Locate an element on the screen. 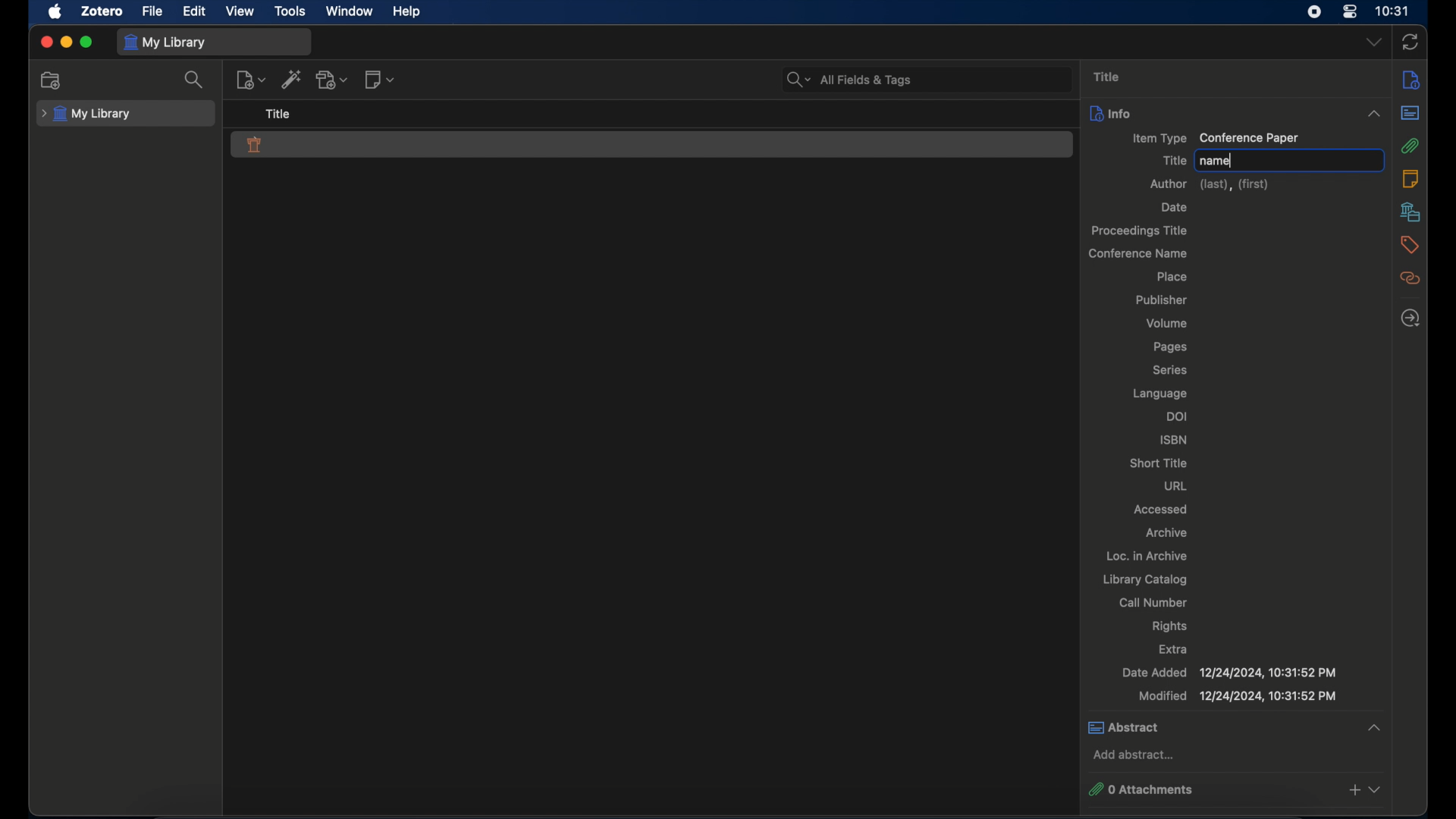 The width and height of the screenshot is (1456, 819). proceedings title is located at coordinates (1141, 231).